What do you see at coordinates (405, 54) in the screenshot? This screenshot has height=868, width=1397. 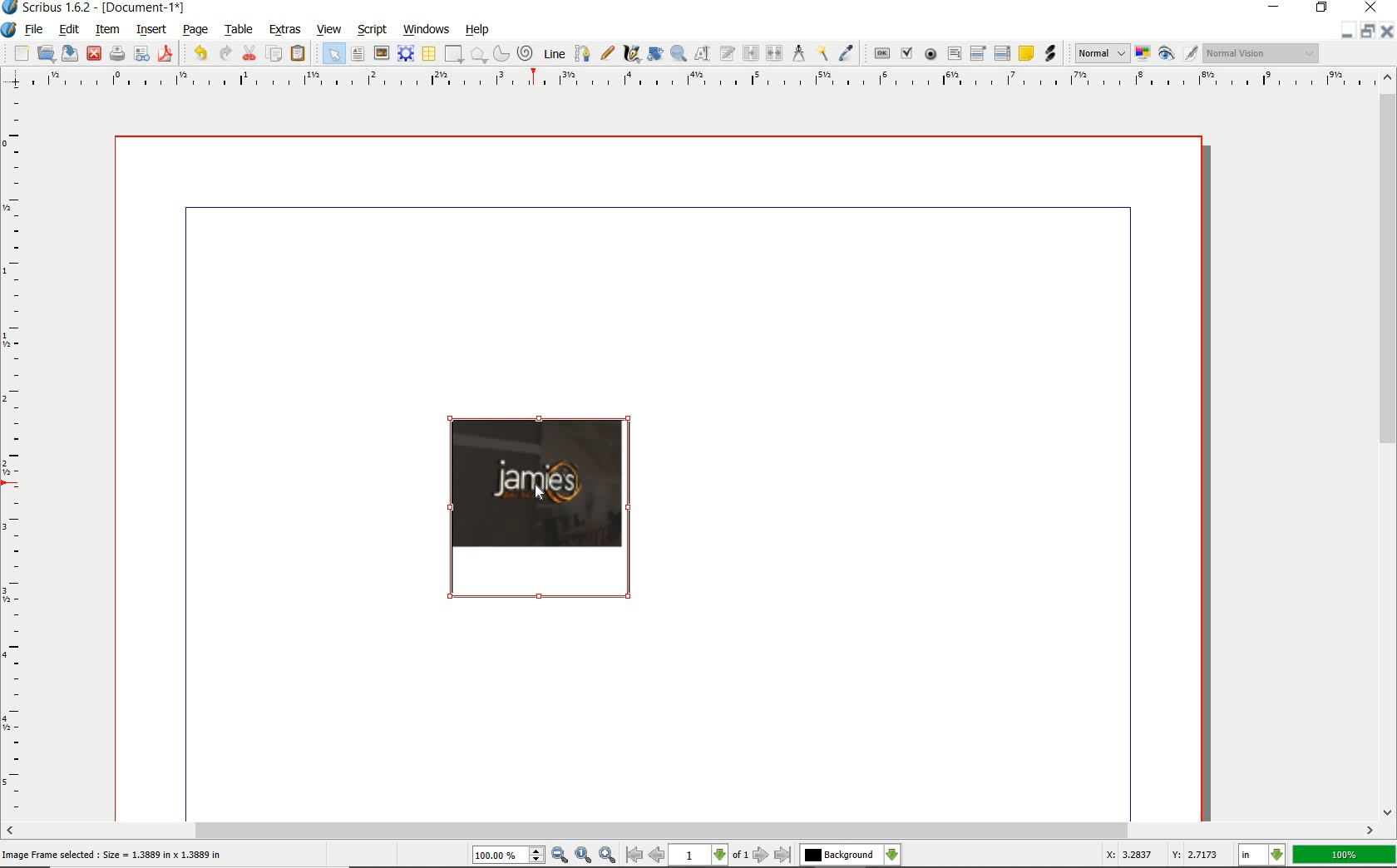 I see `render frame` at bounding box center [405, 54].